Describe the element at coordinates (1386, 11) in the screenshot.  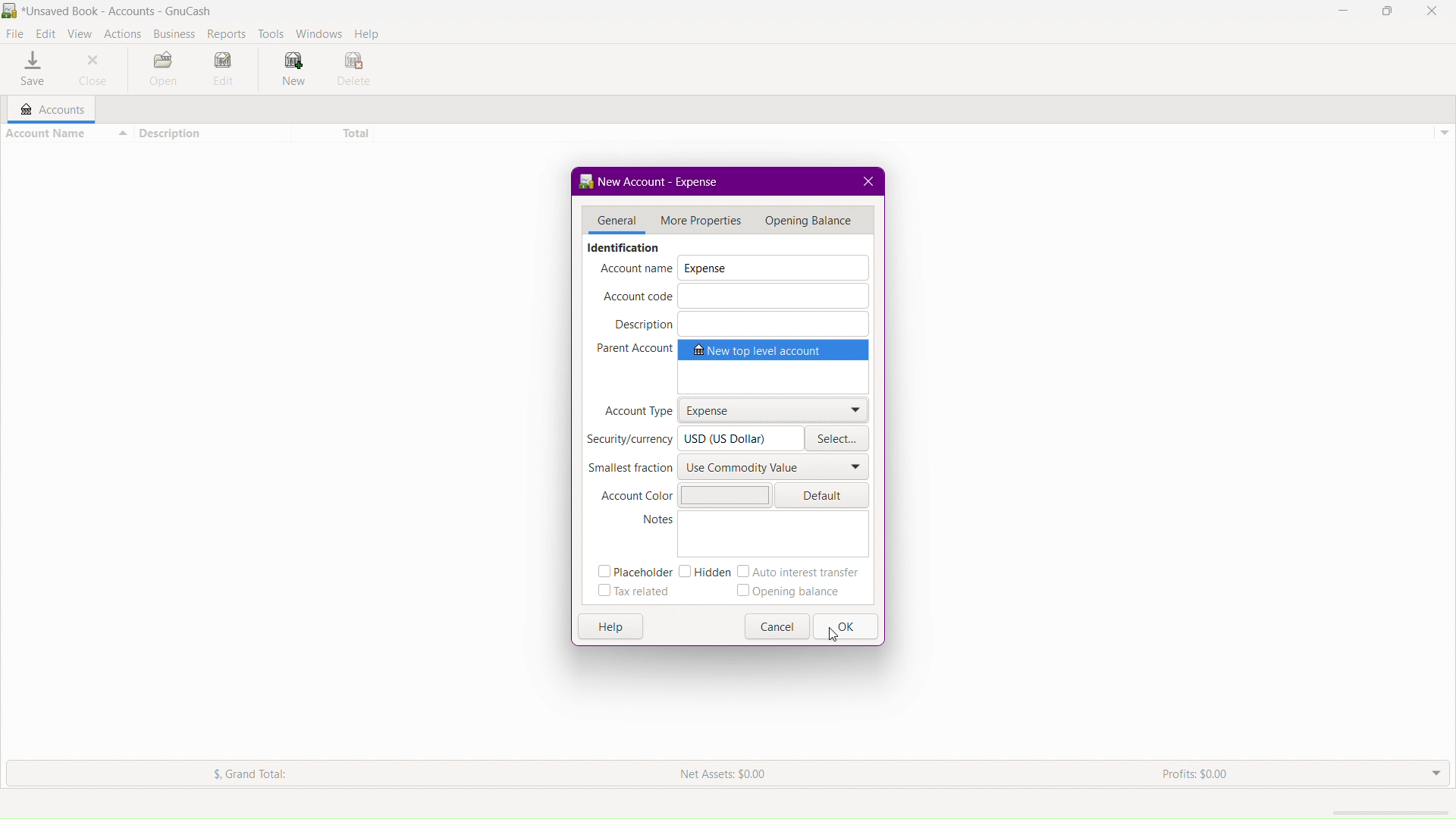
I see `Maximize` at that location.